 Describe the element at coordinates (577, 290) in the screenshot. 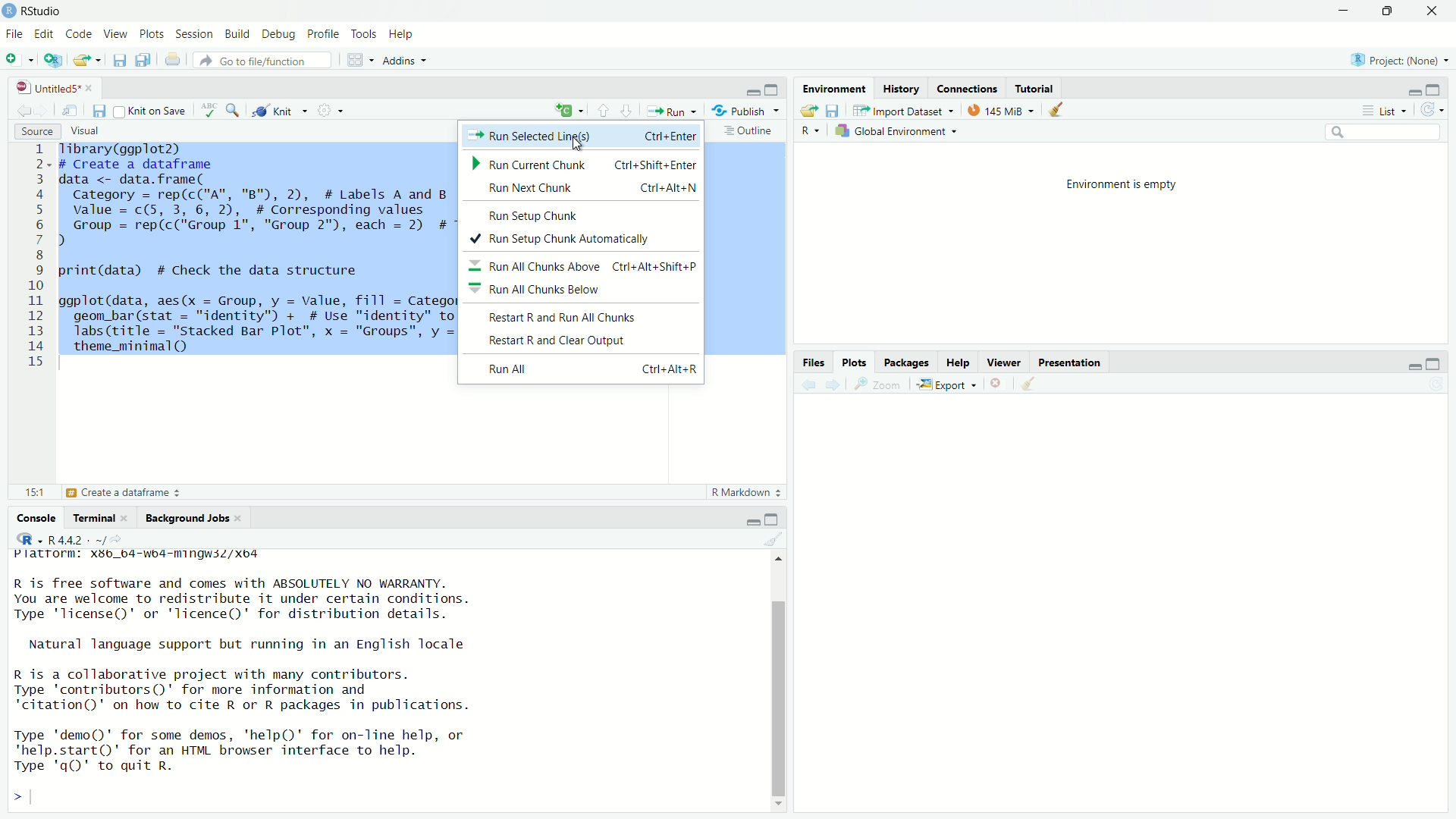

I see `= Run All Chunks Below` at that location.